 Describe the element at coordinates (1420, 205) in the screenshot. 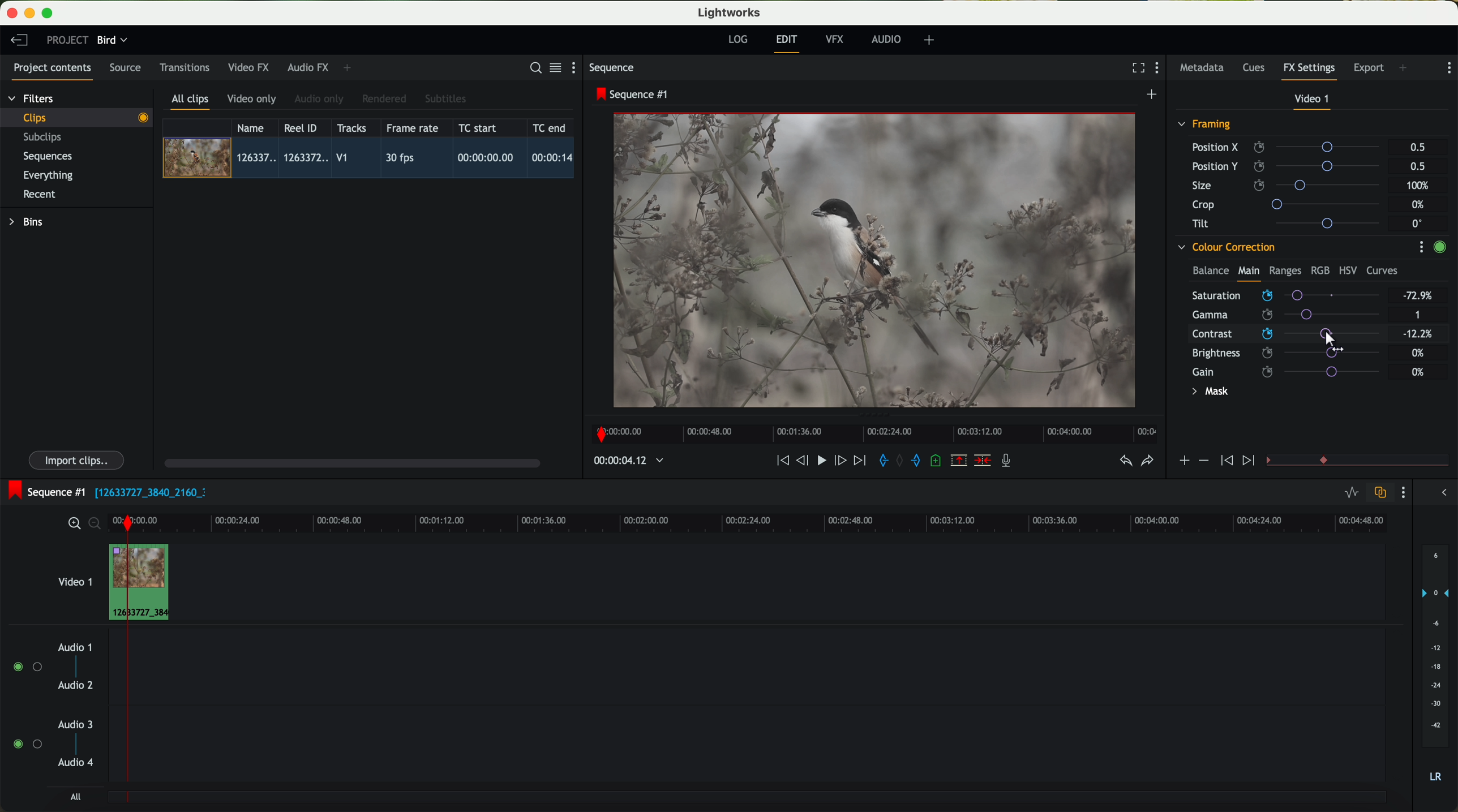

I see `0%` at that location.